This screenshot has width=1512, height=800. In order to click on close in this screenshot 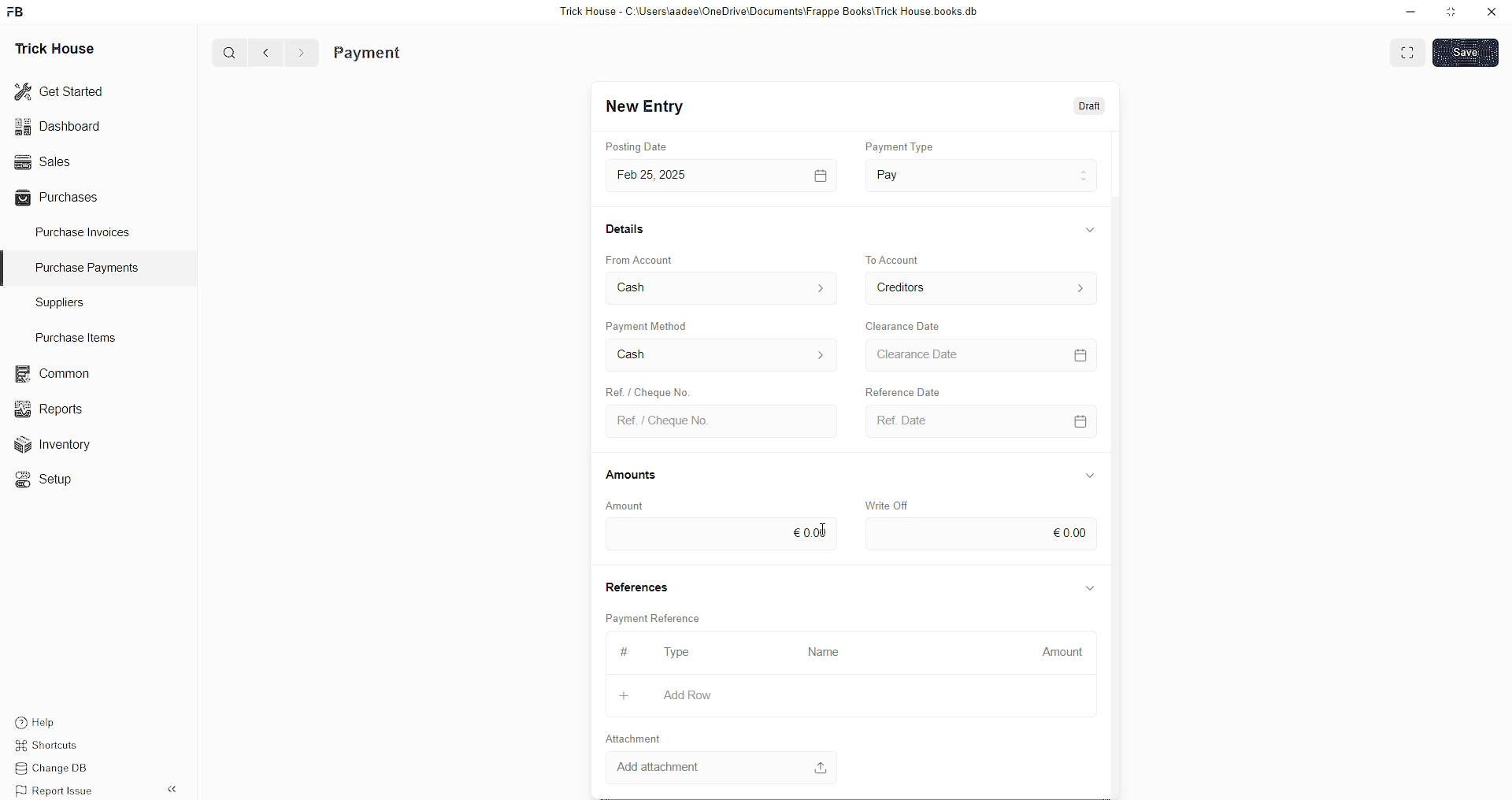, I will do `click(1492, 12)`.